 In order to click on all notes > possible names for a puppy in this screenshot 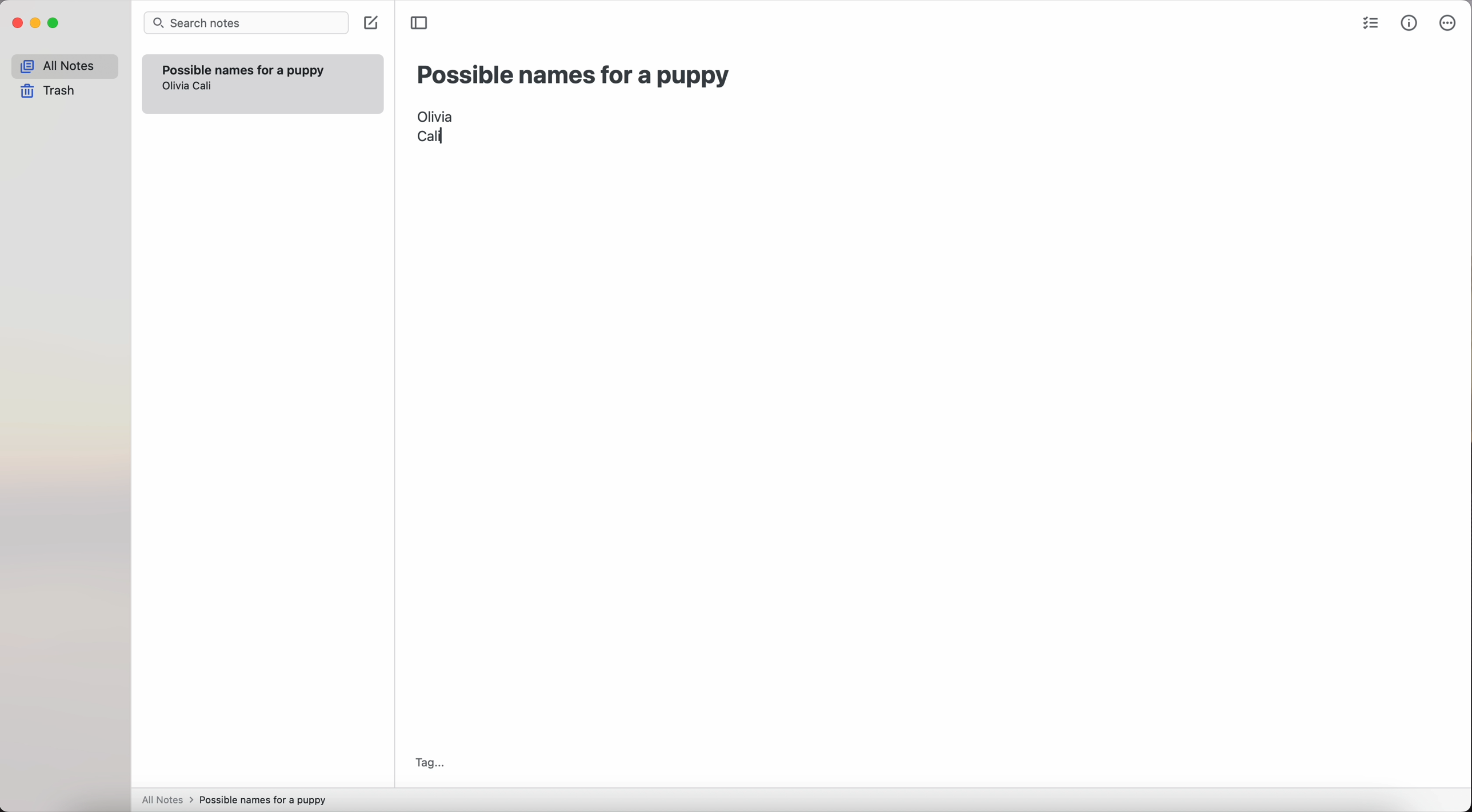, I will do `click(238, 799)`.